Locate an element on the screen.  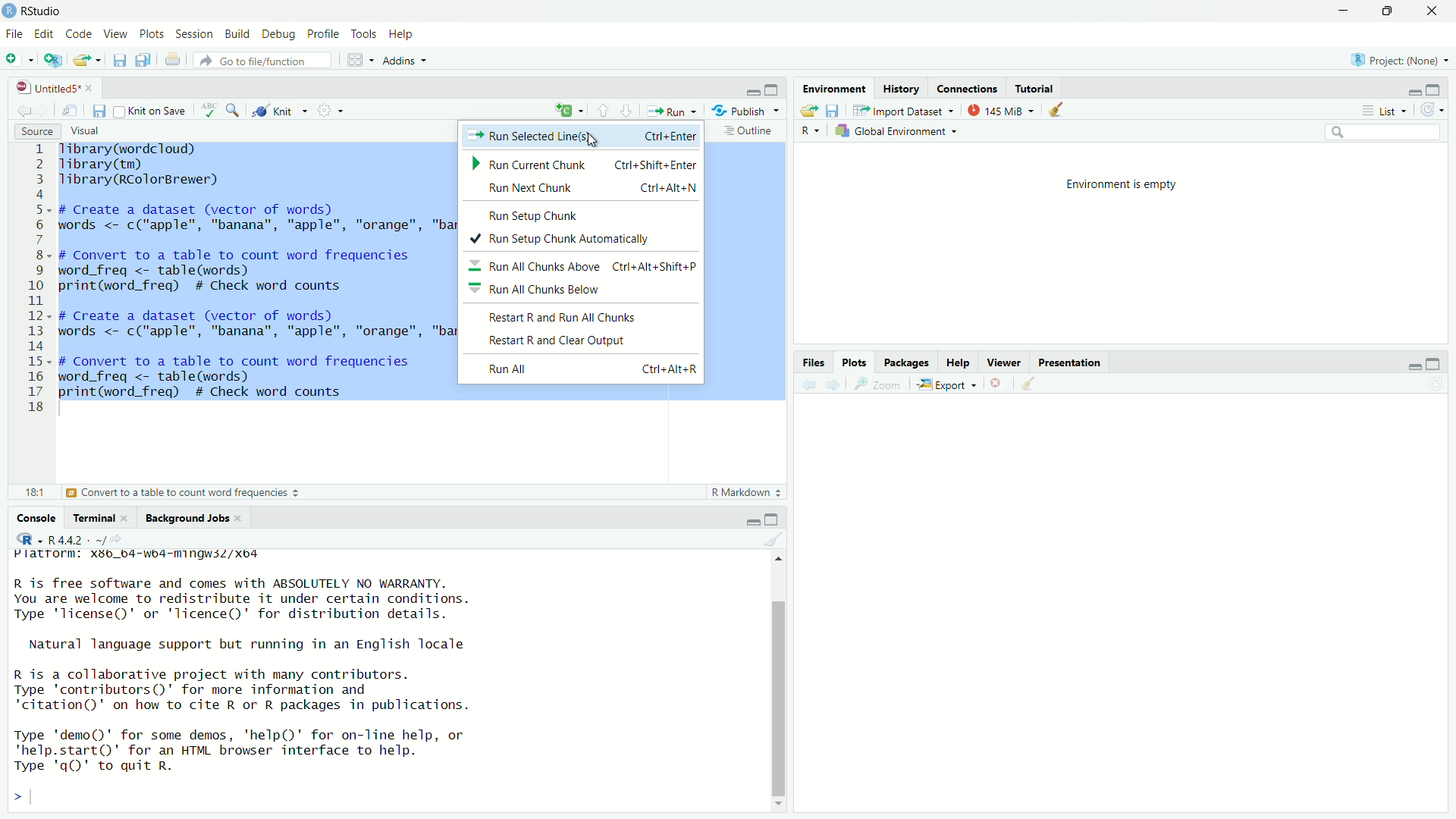
Tutorial is located at coordinates (1036, 87).